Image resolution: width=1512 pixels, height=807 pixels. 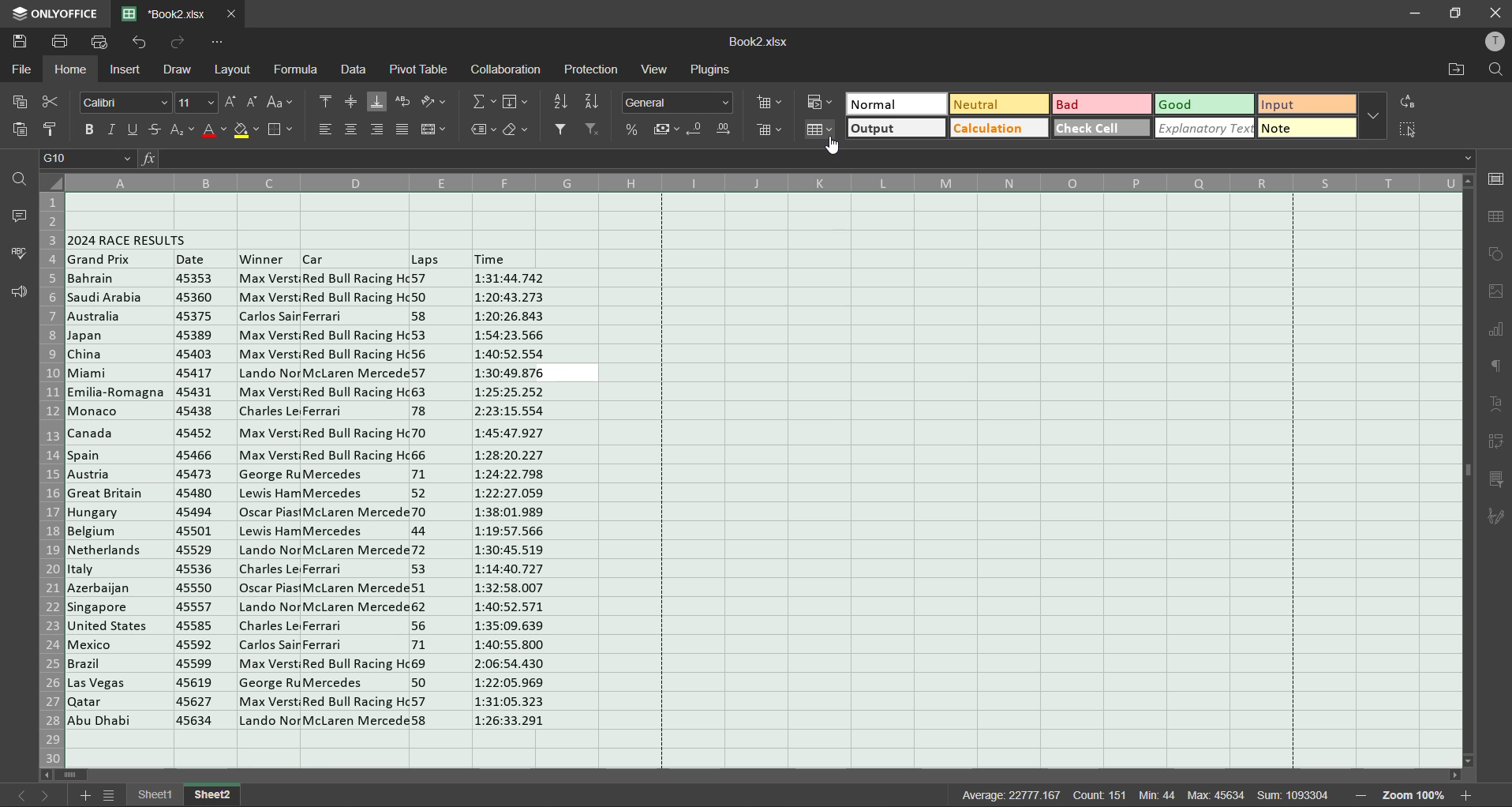 I want to click on file, so click(x=23, y=68).